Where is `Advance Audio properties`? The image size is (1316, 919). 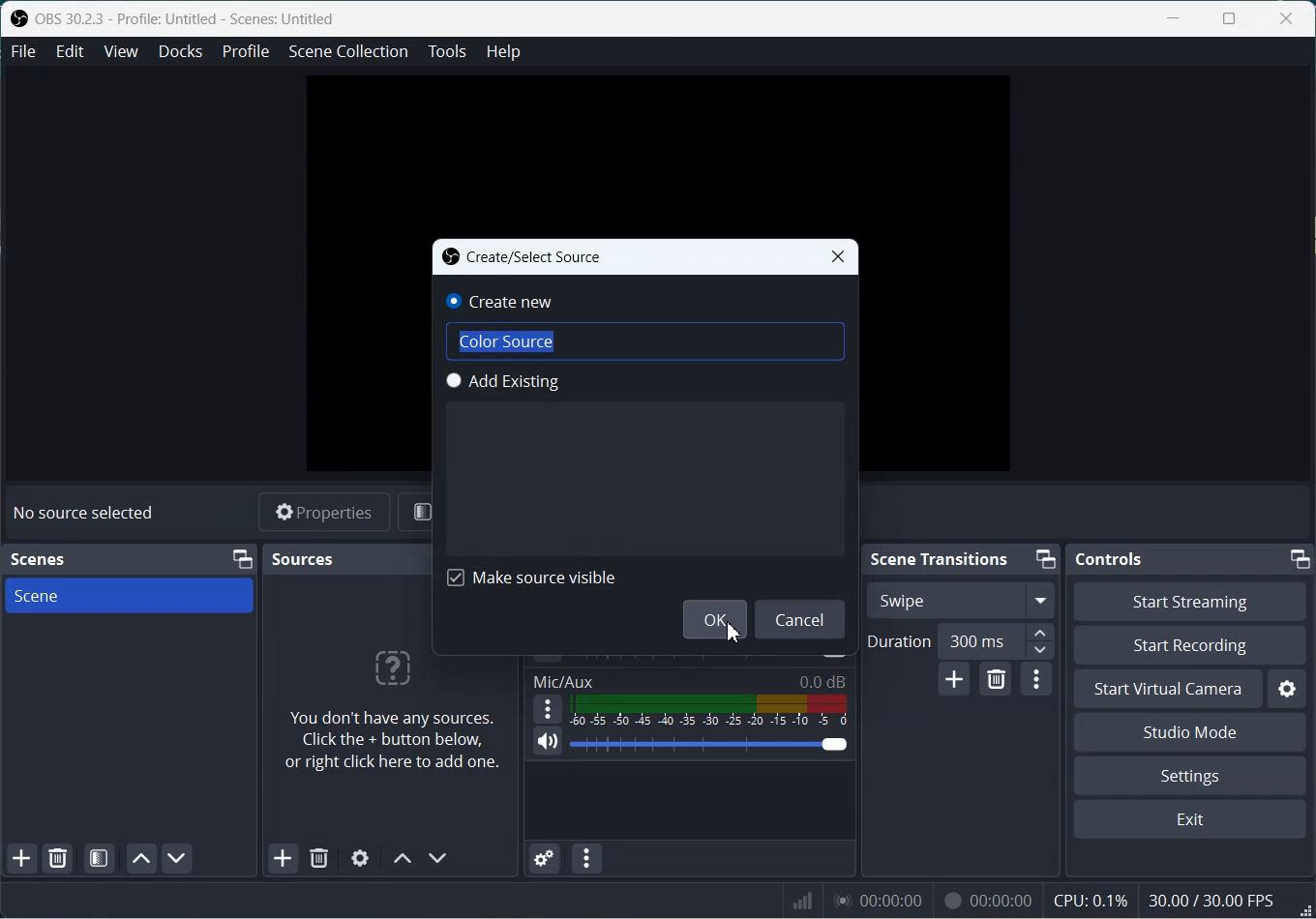 Advance Audio properties is located at coordinates (545, 858).